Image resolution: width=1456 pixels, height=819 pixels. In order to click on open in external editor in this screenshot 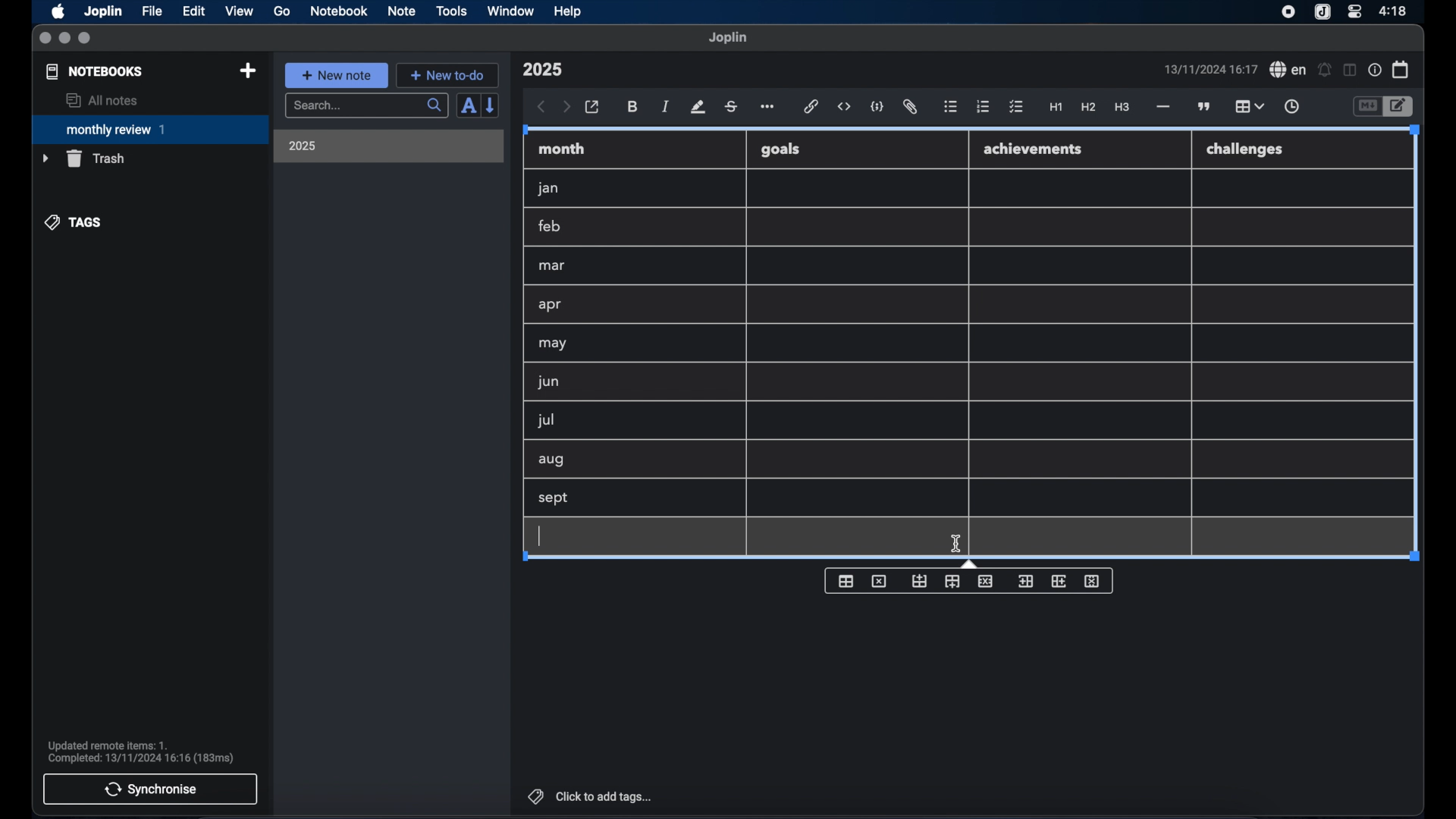, I will do `click(593, 108)`.